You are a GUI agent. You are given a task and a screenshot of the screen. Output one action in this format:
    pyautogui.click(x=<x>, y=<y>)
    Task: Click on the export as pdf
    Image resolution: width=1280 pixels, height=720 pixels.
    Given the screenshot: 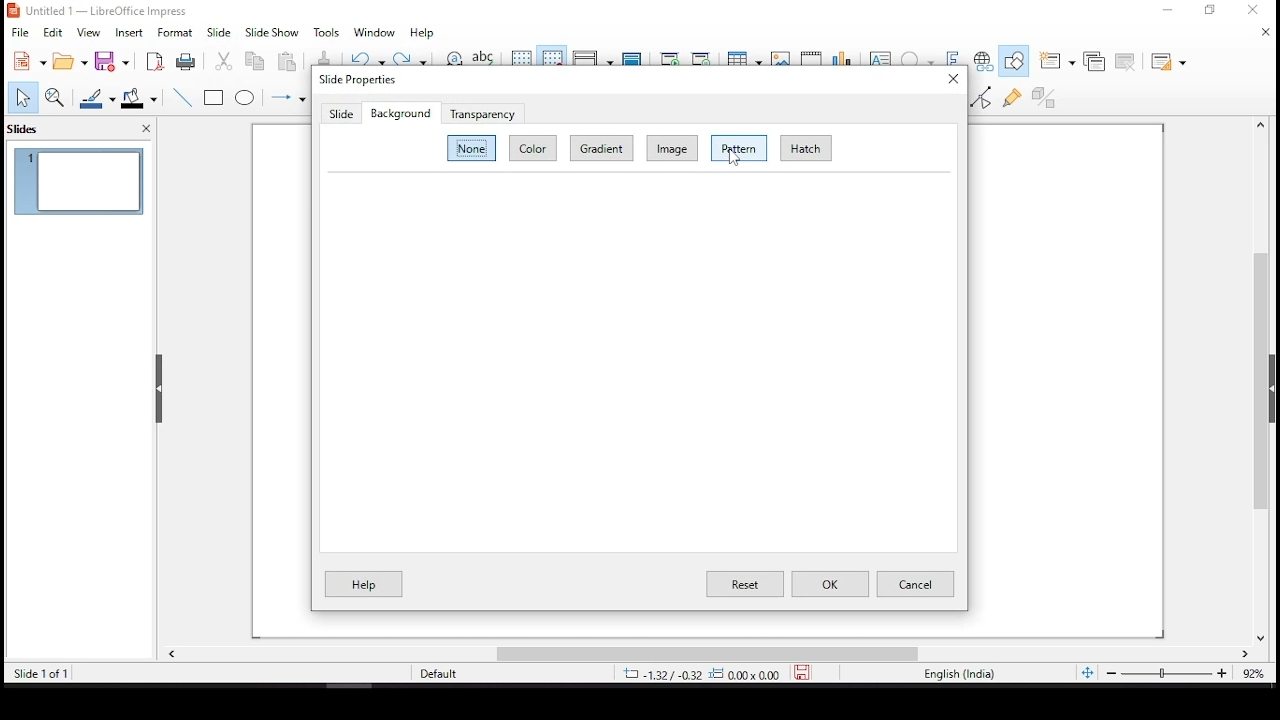 What is the action you would take?
    pyautogui.click(x=155, y=60)
    